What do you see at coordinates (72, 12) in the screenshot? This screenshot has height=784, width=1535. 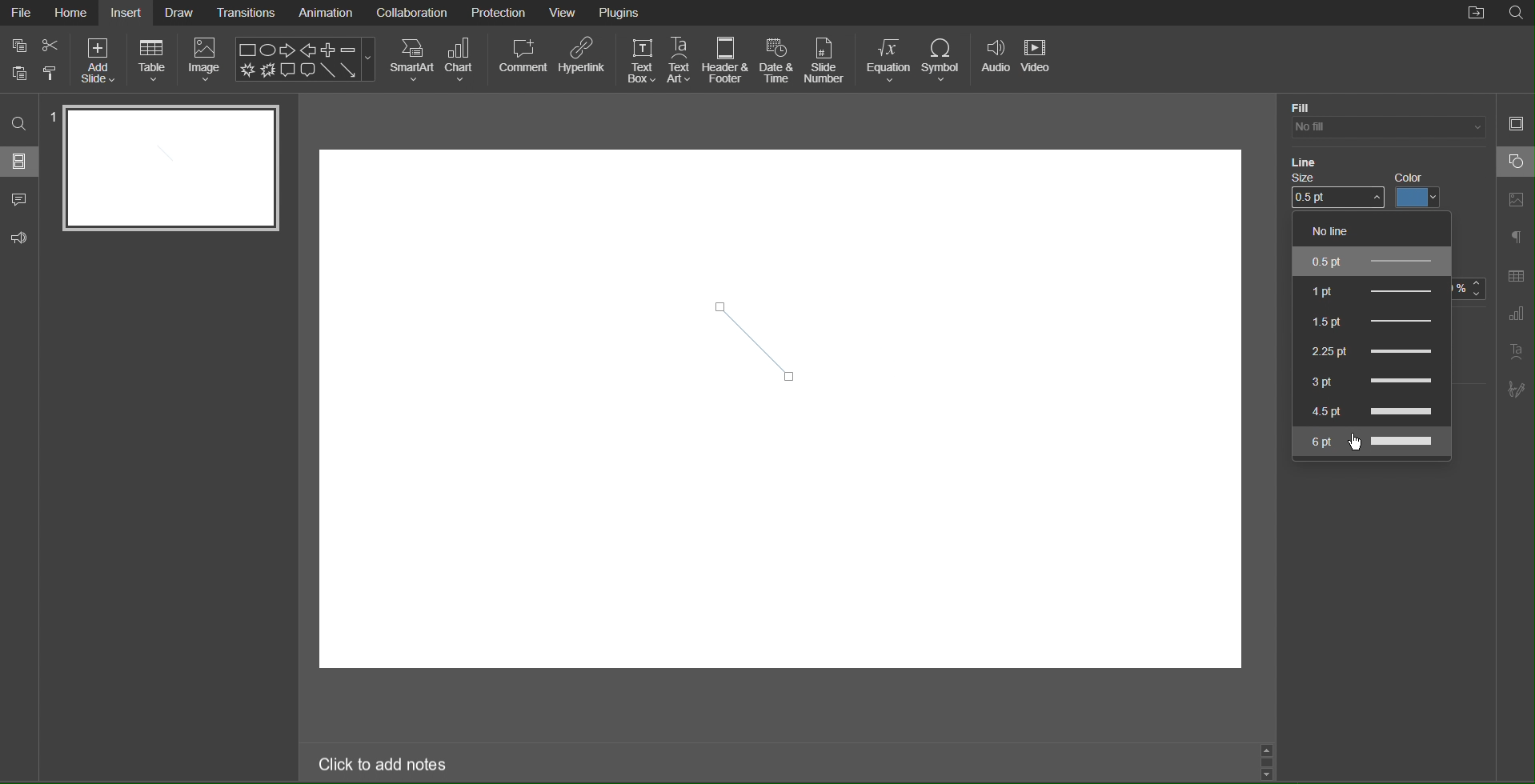 I see `Home` at bounding box center [72, 12].